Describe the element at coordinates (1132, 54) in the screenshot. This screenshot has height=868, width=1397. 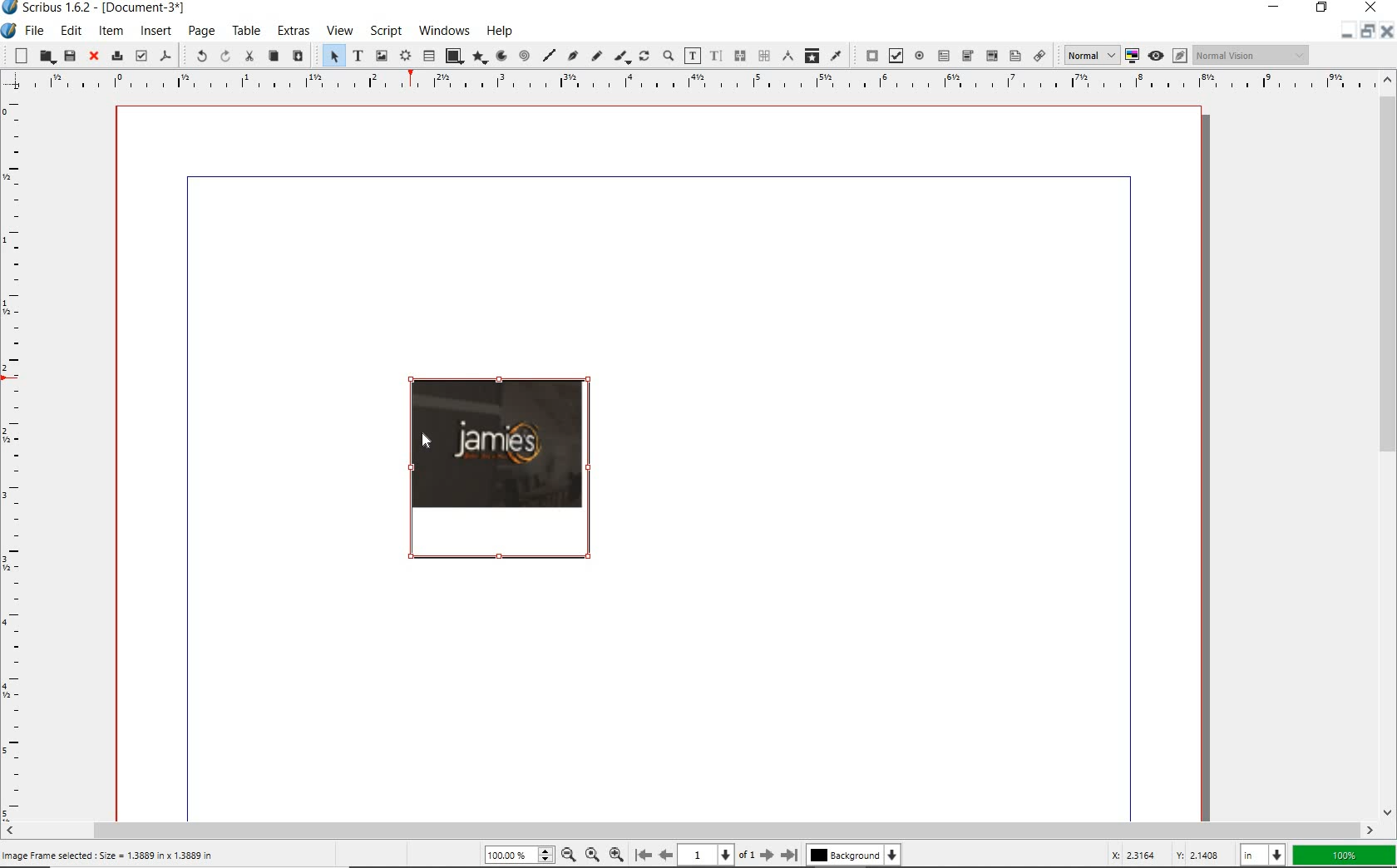
I see `toggle color` at that location.